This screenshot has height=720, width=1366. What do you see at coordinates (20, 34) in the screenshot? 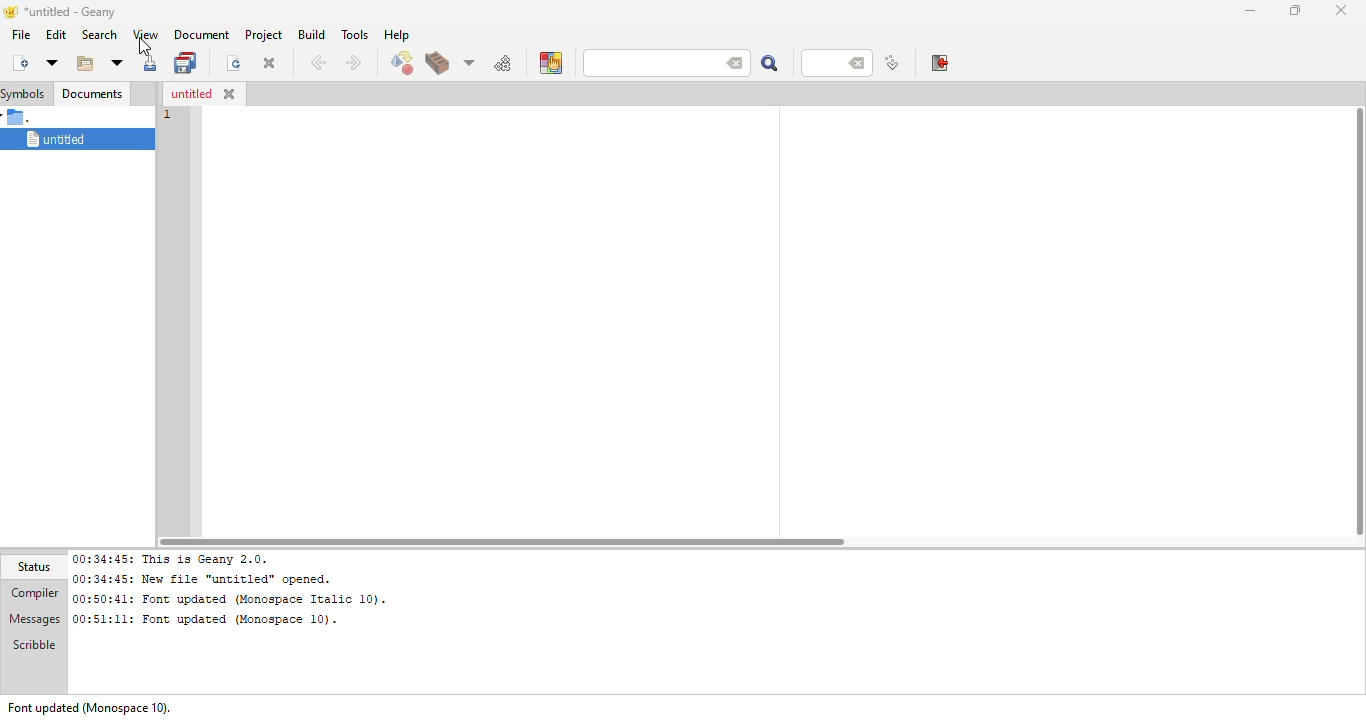
I see `file` at bounding box center [20, 34].